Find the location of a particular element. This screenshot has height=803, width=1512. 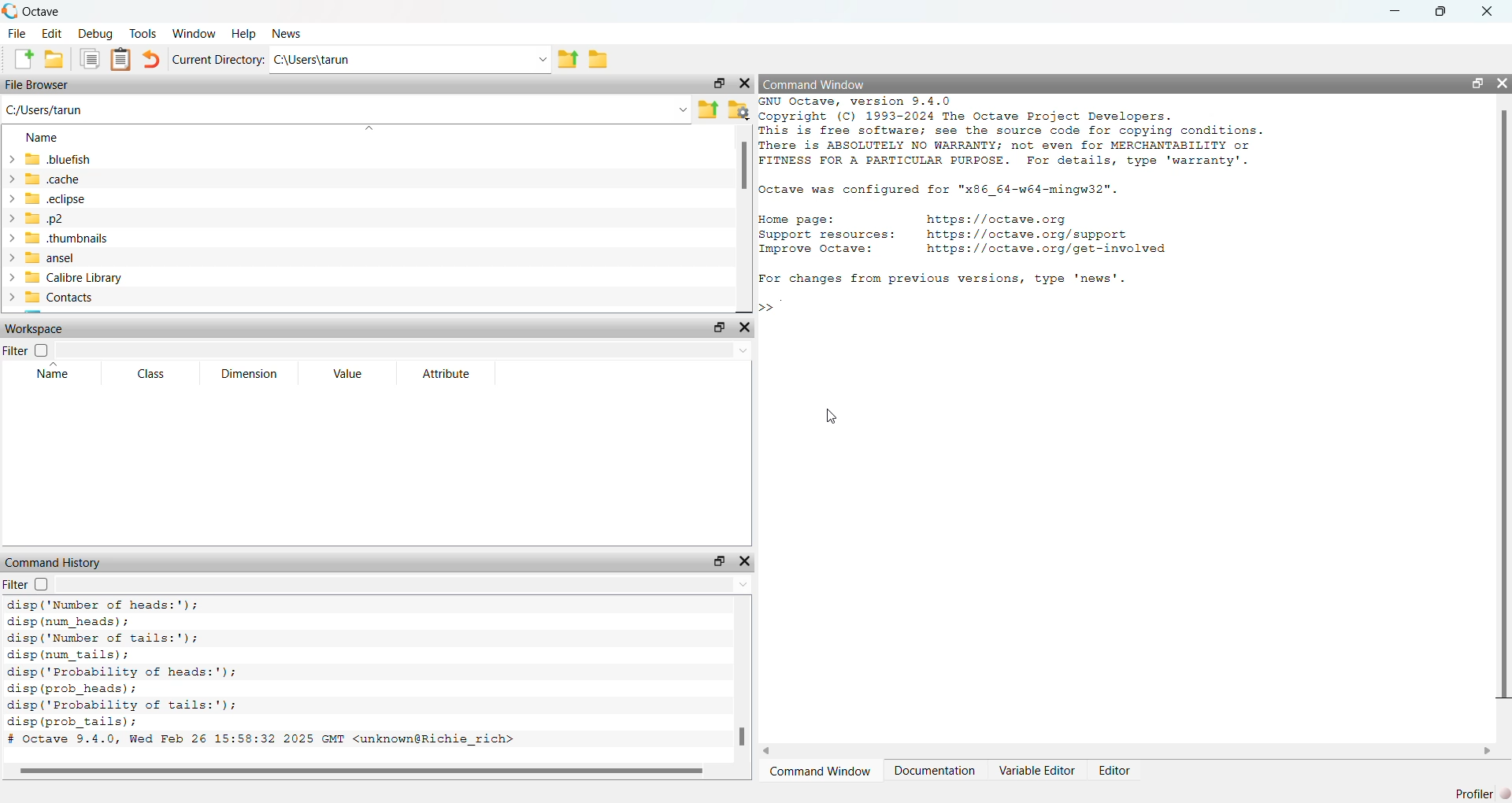

cursor is located at coordinates (830, 416).